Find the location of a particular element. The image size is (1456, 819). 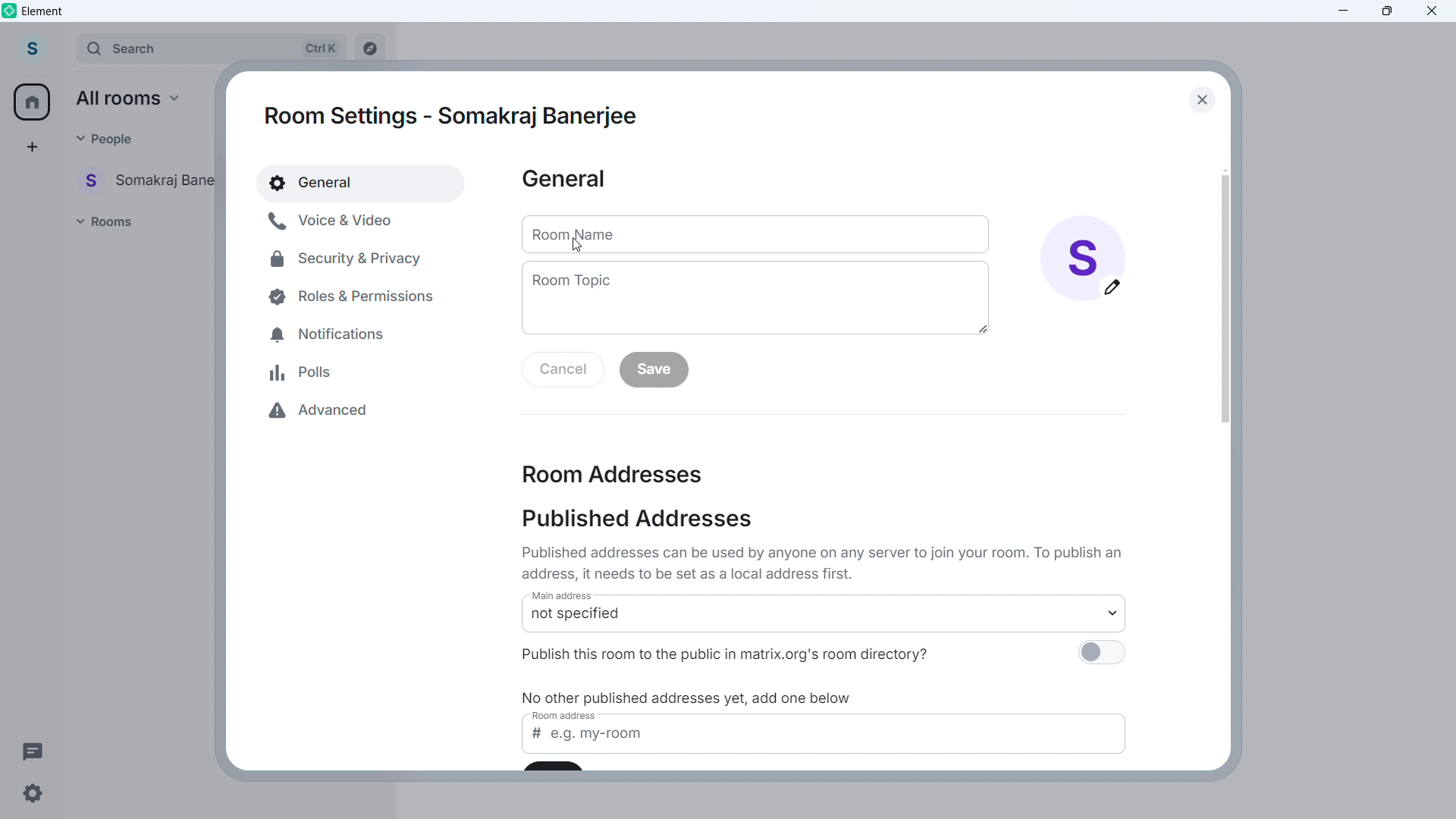

Add room topic  is located at coordinates (755, 298).